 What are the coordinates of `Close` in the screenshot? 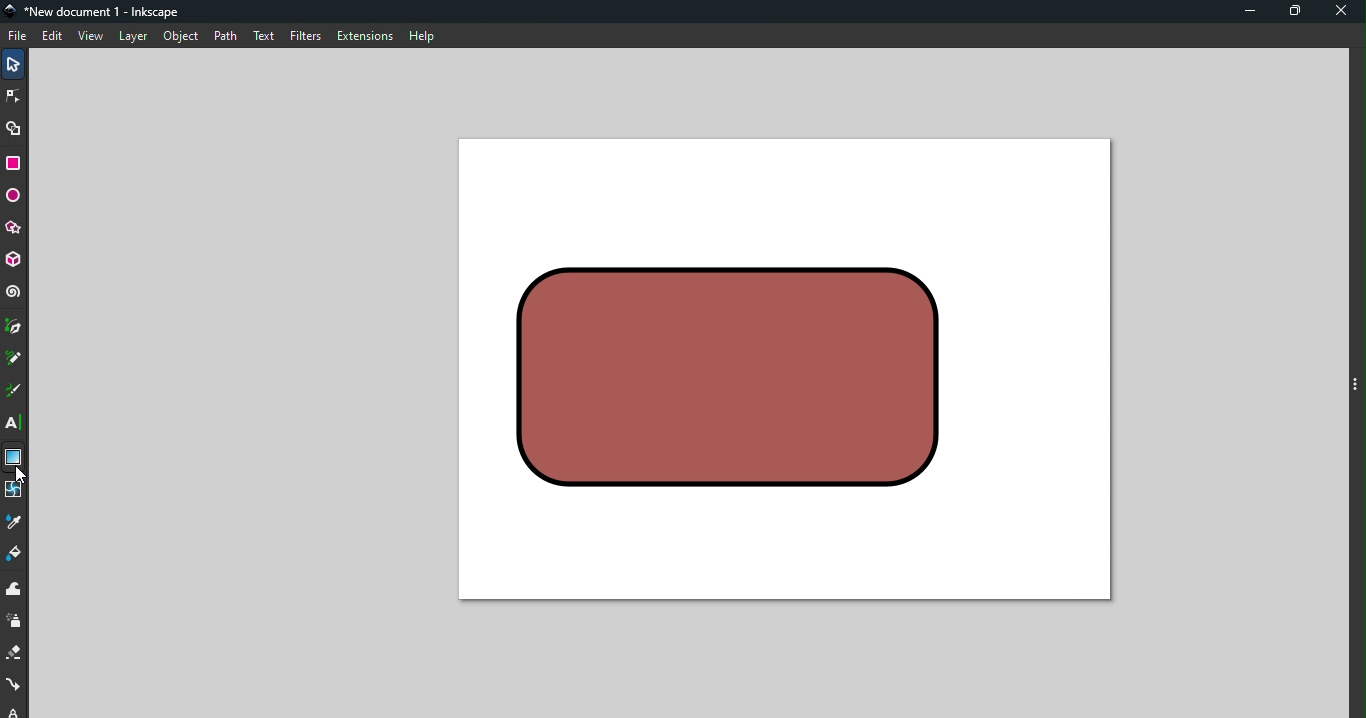 It's located at (1343, 13).